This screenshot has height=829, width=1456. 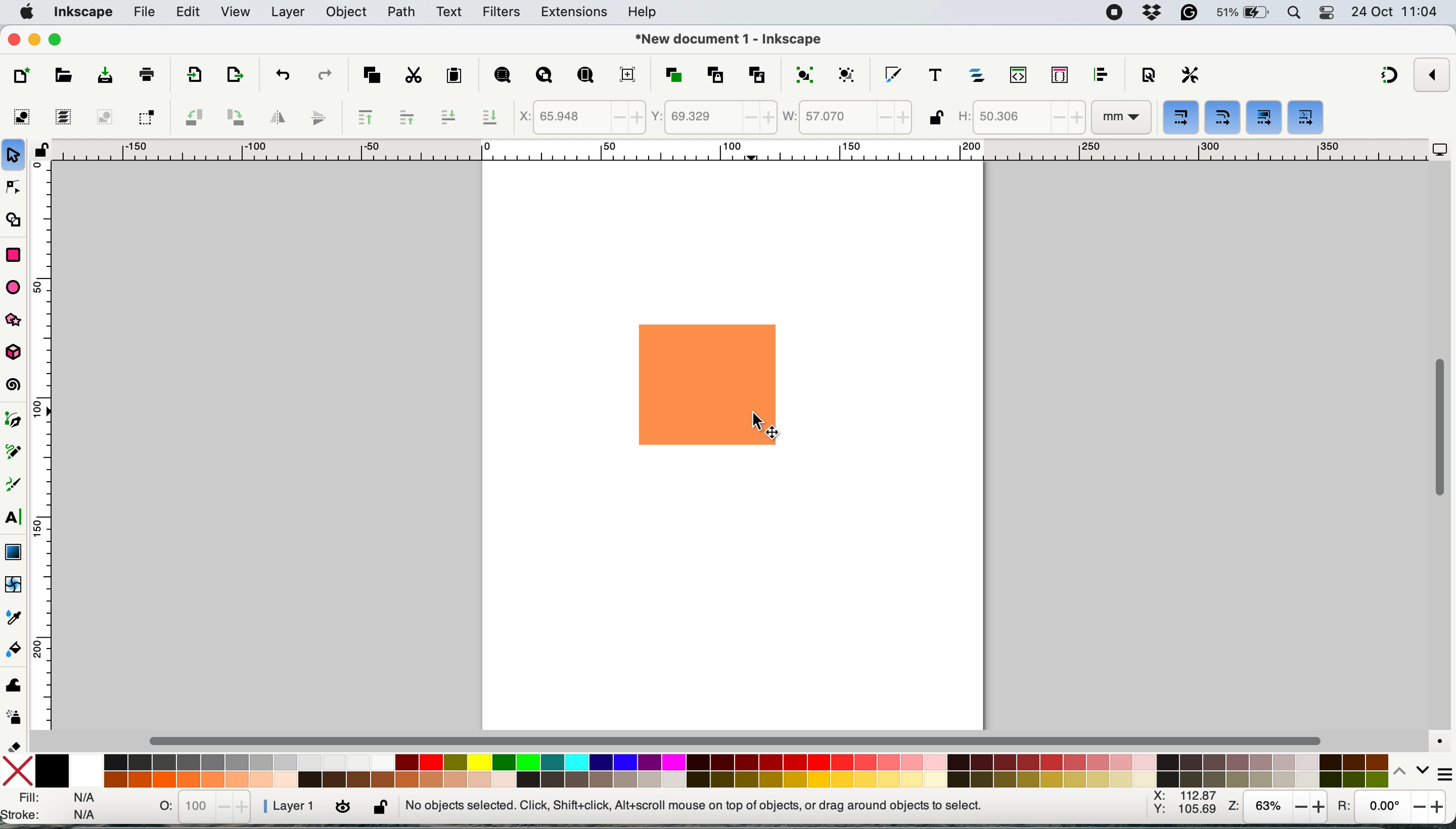 What do you see at coordinates (893, 72) in the screenshot?
I see `fill and stroke` at bounding box center [893, 72].